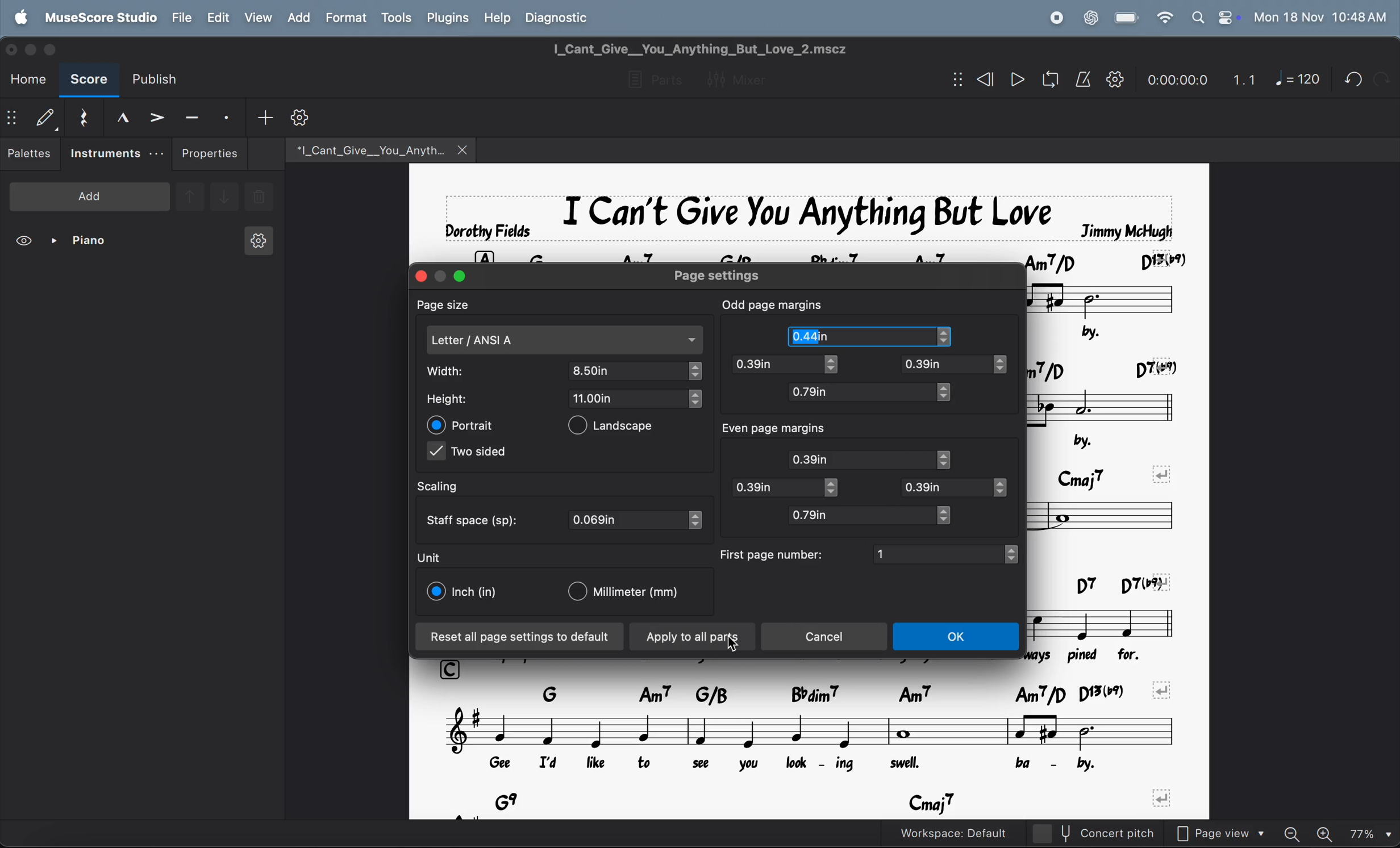 The height and width of the screenshot is (848, 1400). What do you see at coordinates (520, 637) in the screenshot?
I see `reset page to default settings` at bounding box center [520, 637].